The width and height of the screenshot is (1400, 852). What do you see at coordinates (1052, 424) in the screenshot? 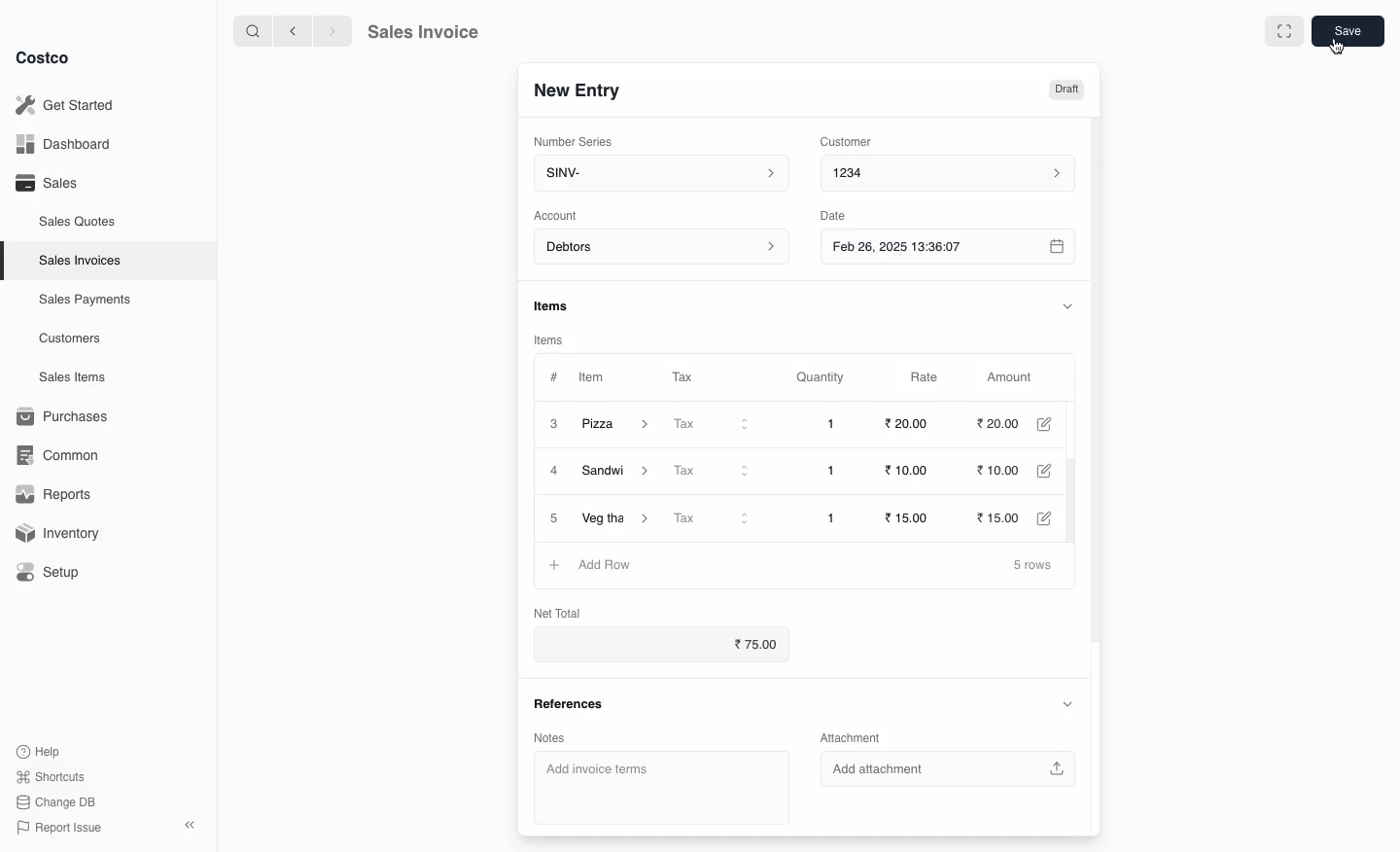
I see `Edit` at bounding box center [1052, 424].